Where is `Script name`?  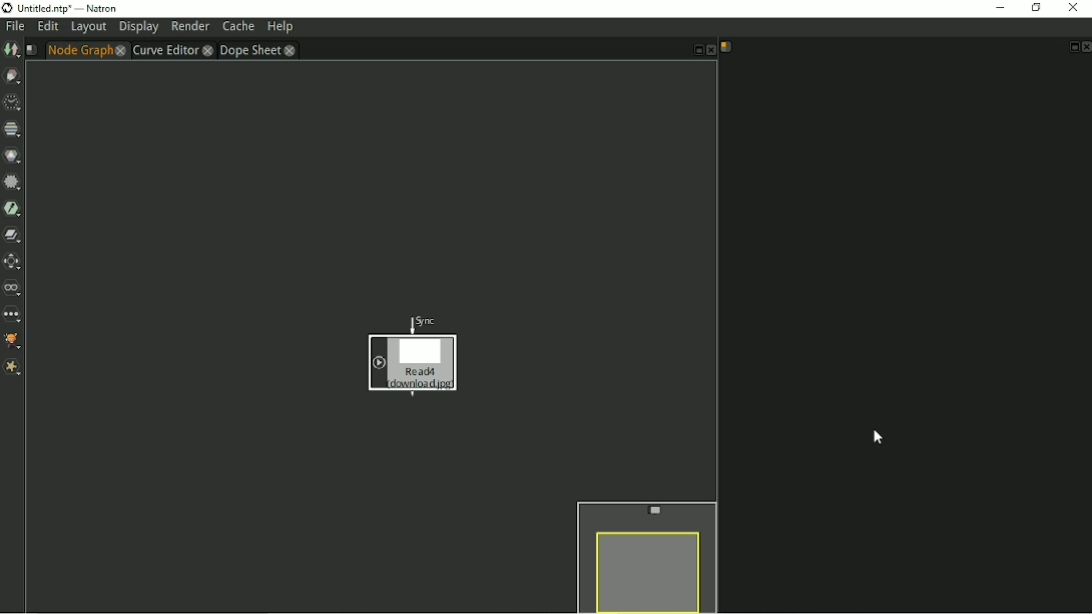
Script name is located at coordinates (726, 47).